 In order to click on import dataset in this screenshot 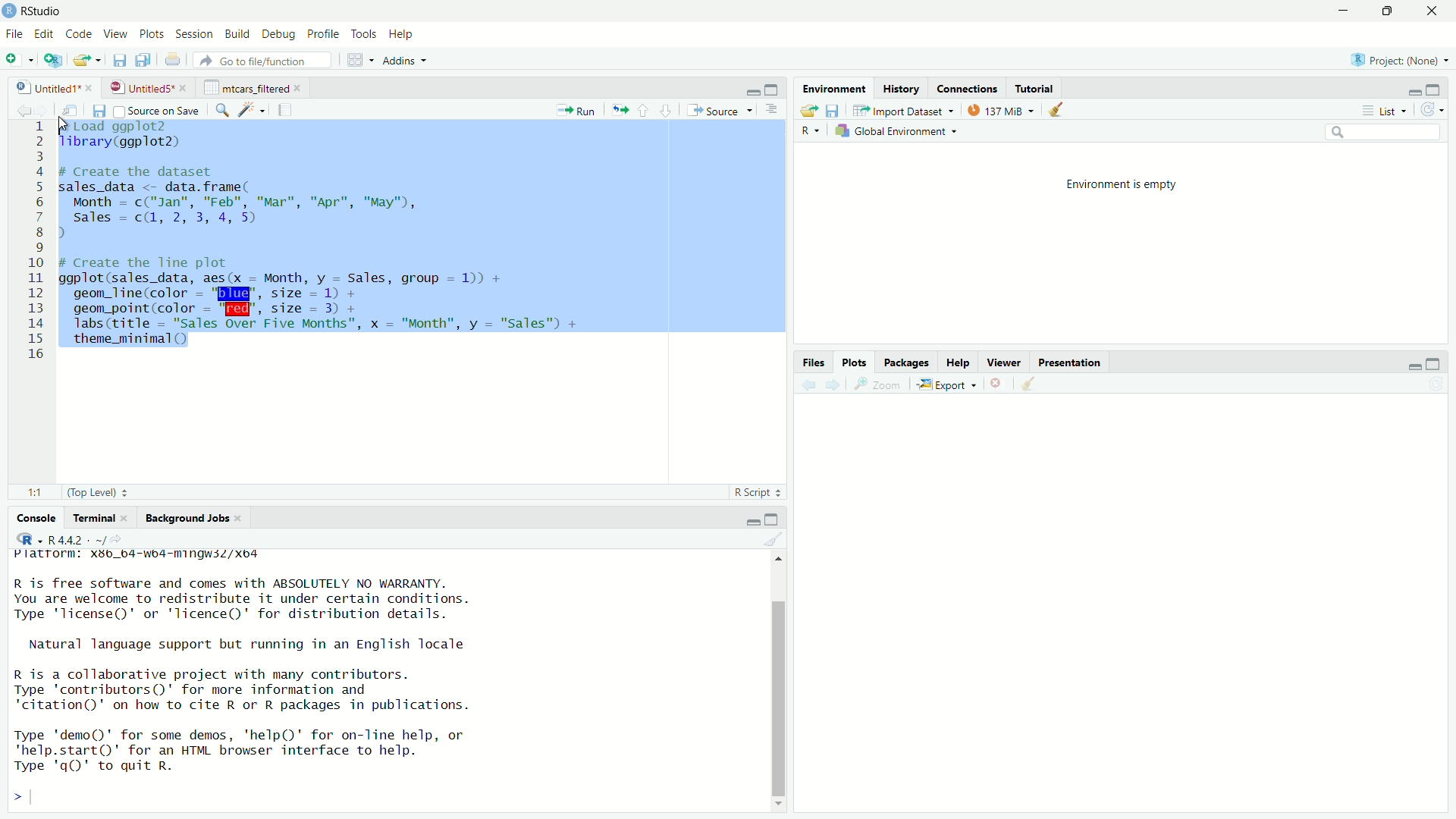, I will do `click(903, 111)`.